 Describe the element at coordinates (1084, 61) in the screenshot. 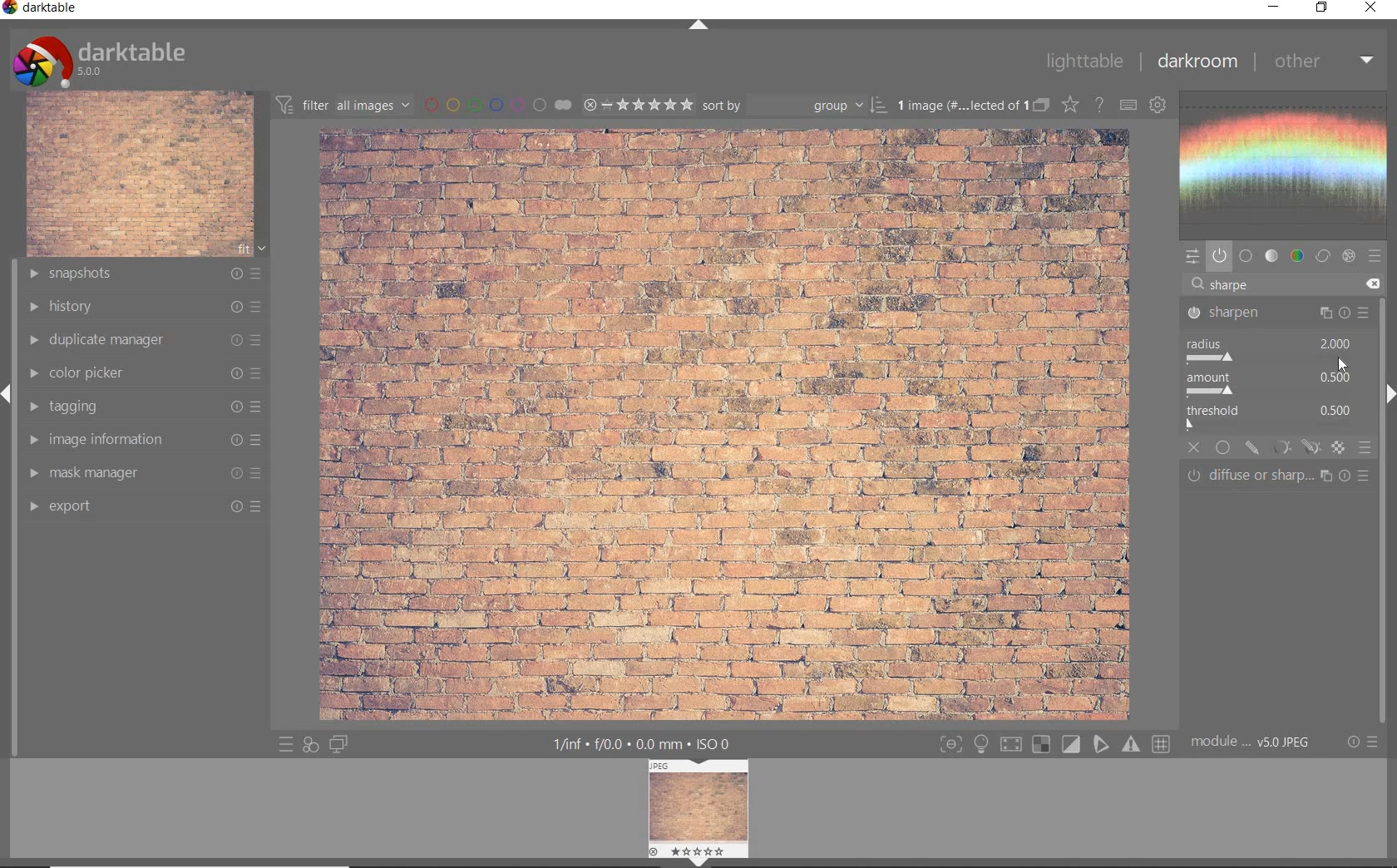

I see `lighttable` at that location.